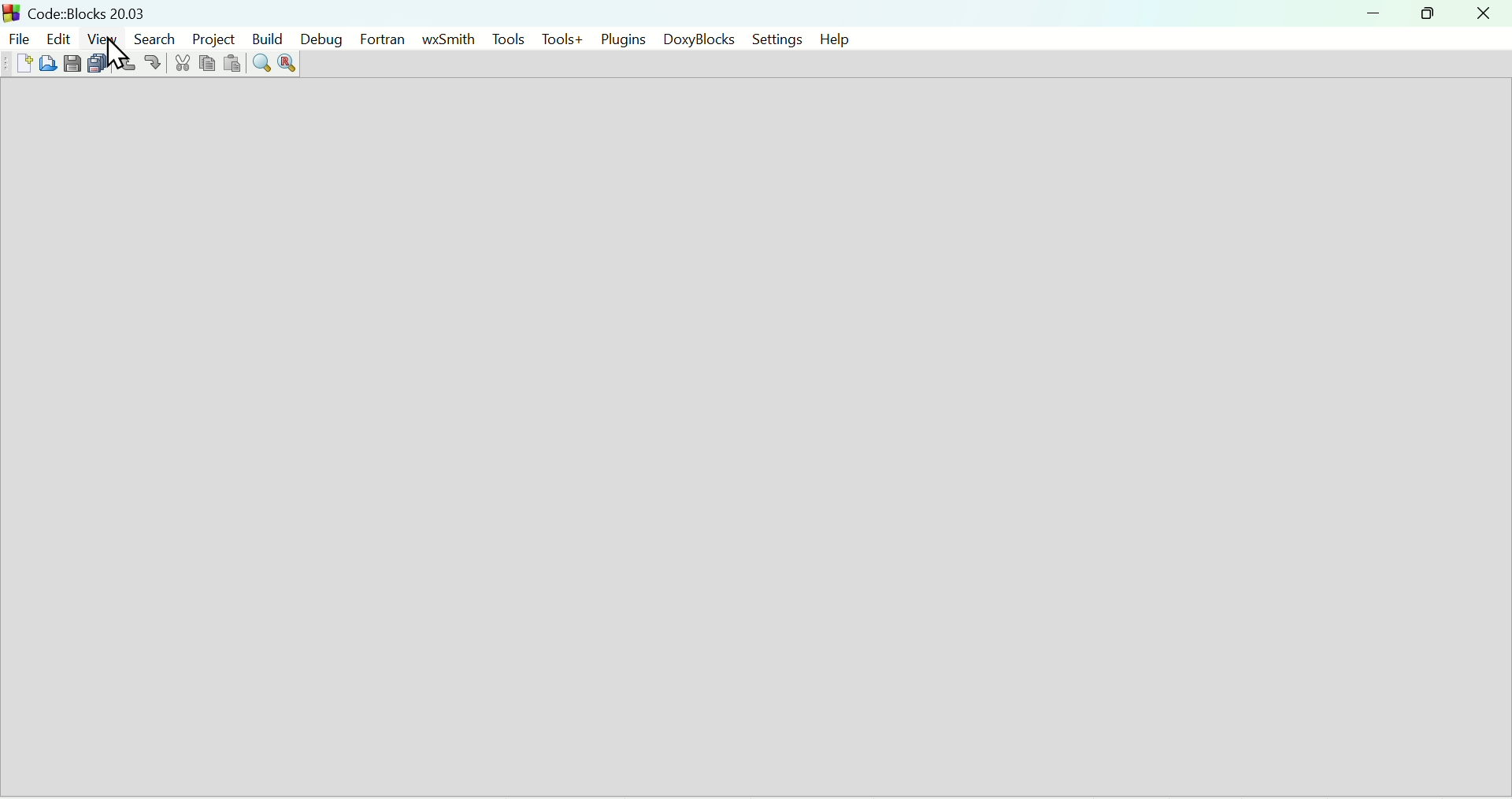 The width and height of the screenshot is (1512, 799). I want to click on Save, so click(72, 63).